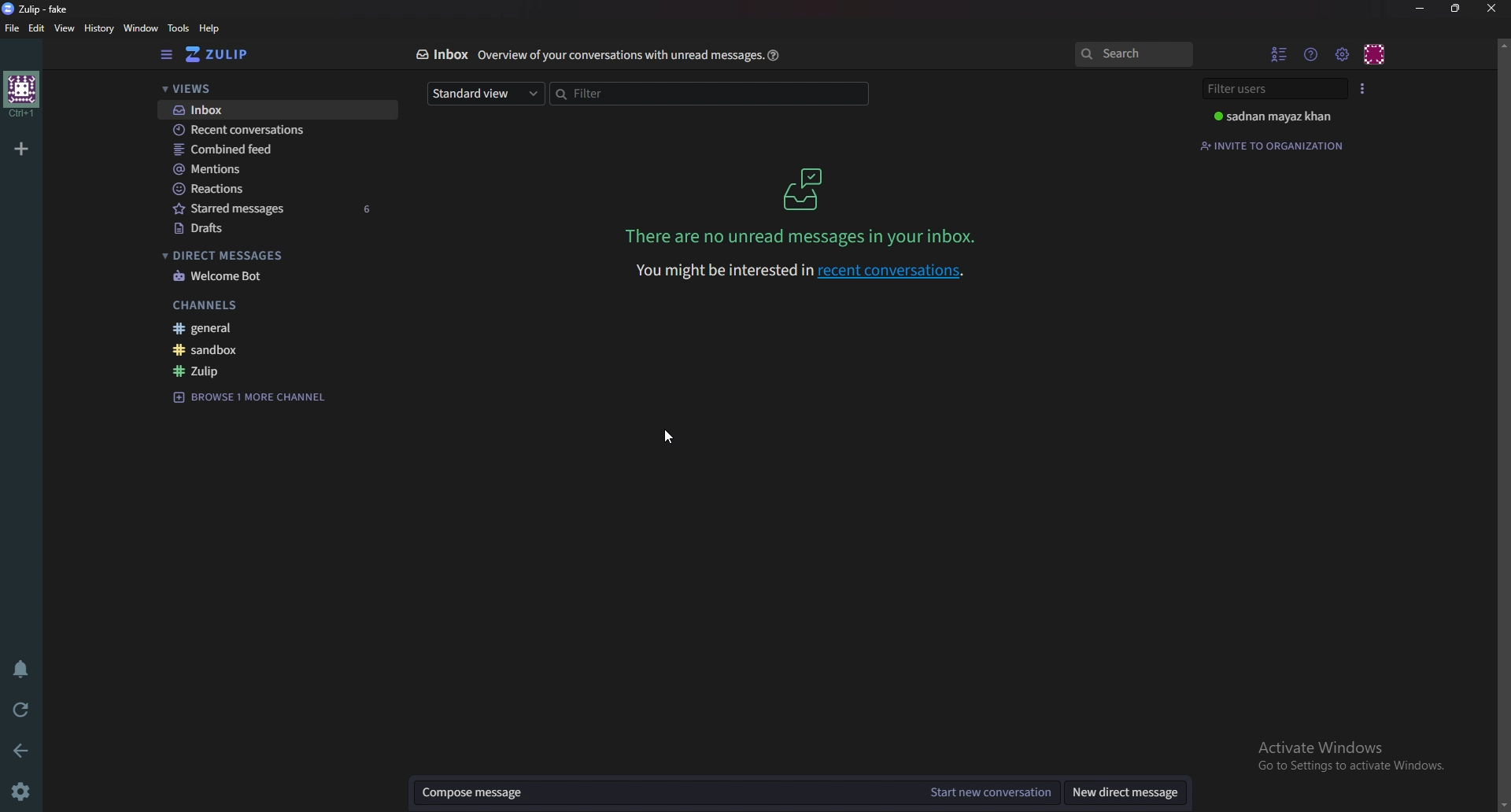 The image size is (1511, 812). What do you see at coordinates (22, 95) in the screenshot?
I see `home` at bounding box center [22, 95].